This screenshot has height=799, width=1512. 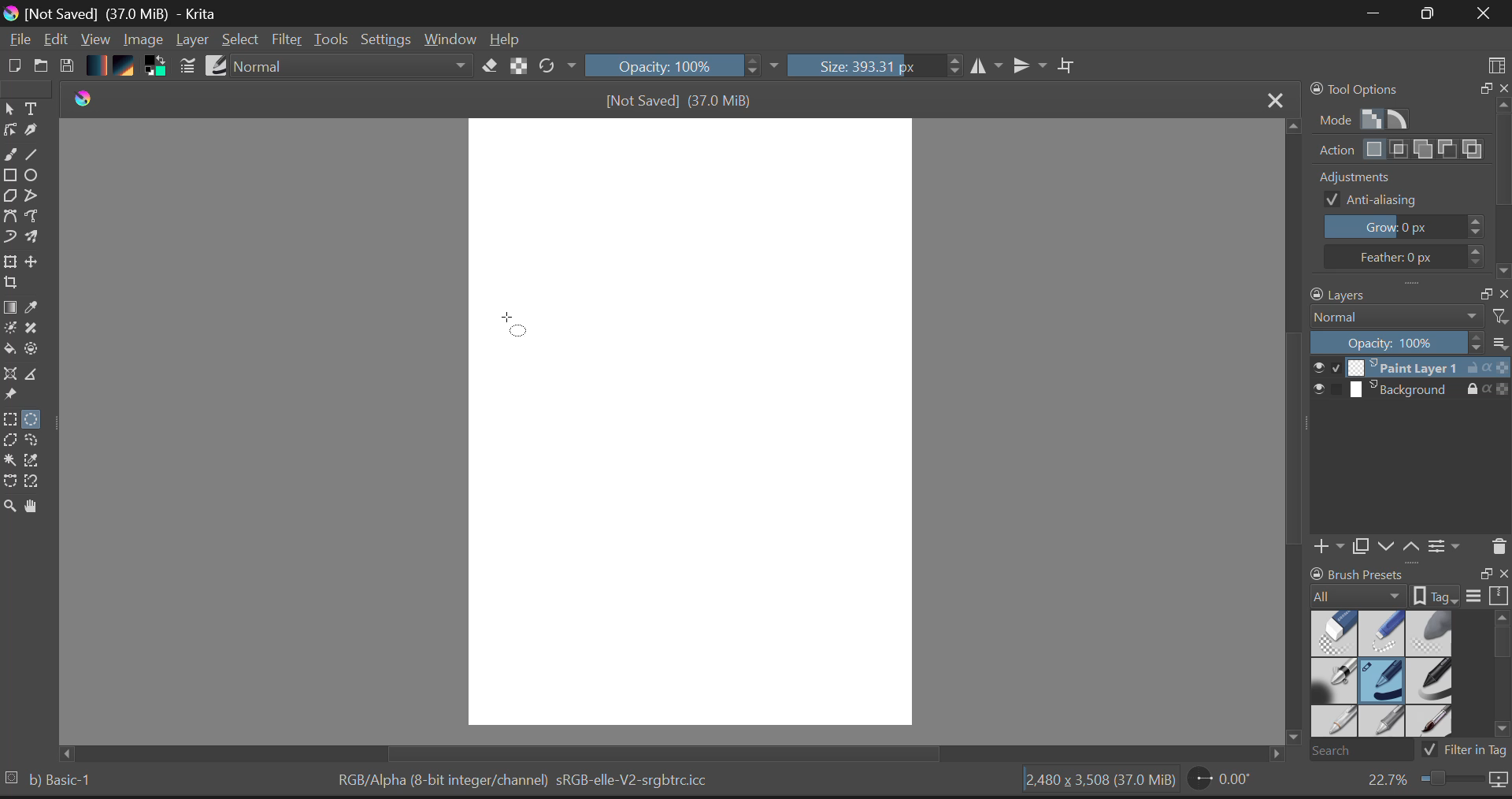 I want to click on Edit shapes, so click(x=9, y=132).